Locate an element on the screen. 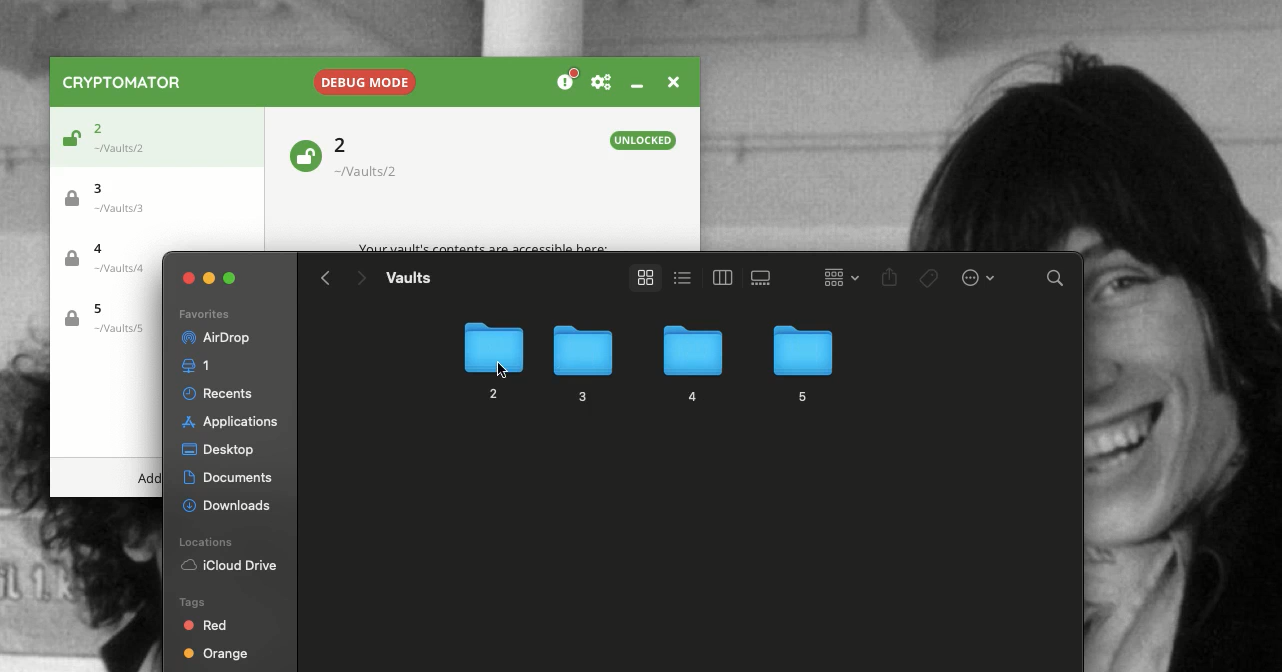 This screenshot has height=672, width=1282. Desktop is located at coordinates (218, 451).